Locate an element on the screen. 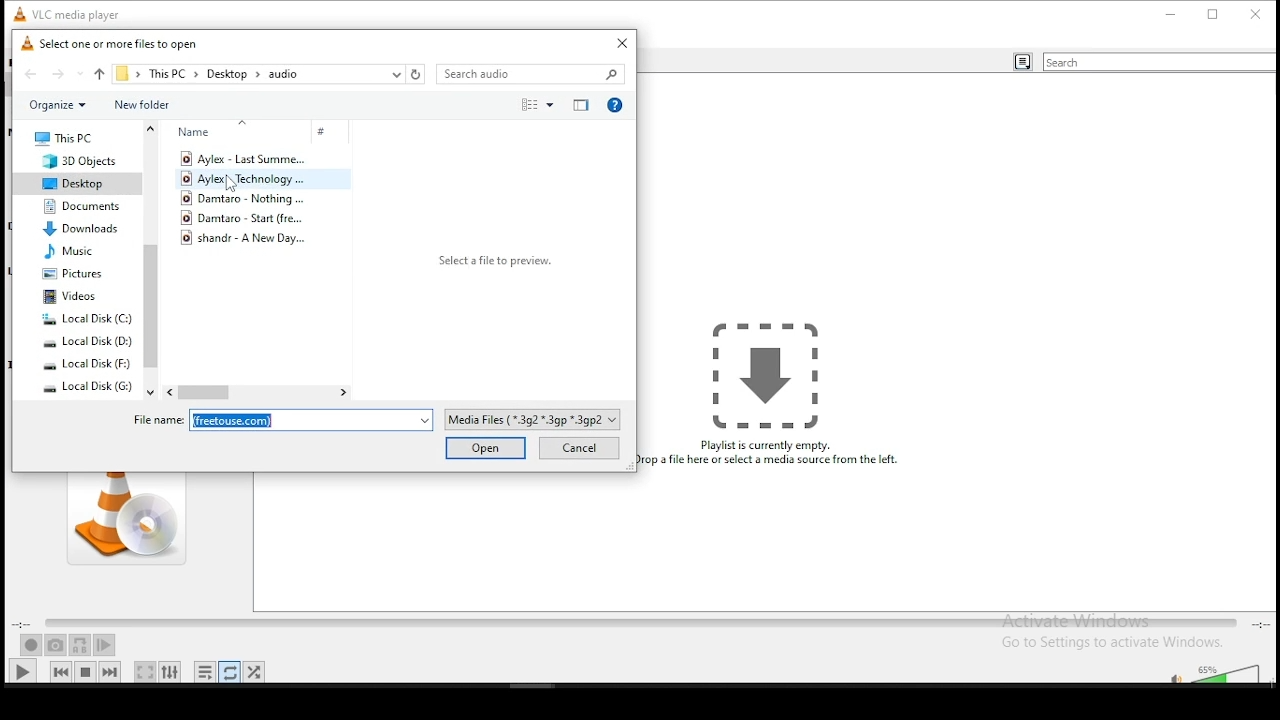  Play list is currently empty. Drop a file here or select a media source from left is located at coordinates (774, 395).